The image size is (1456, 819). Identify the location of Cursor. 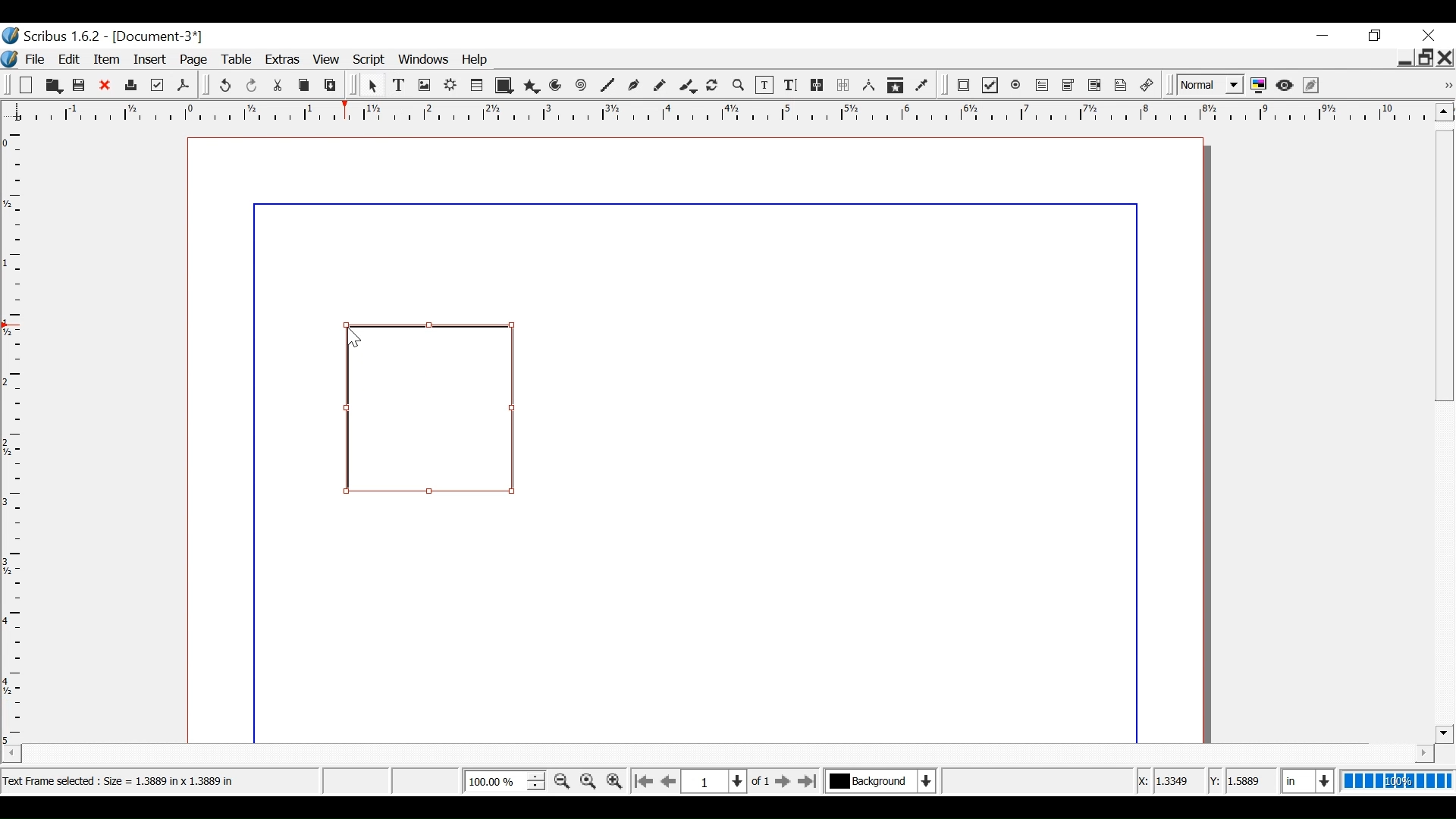
(354, 337).